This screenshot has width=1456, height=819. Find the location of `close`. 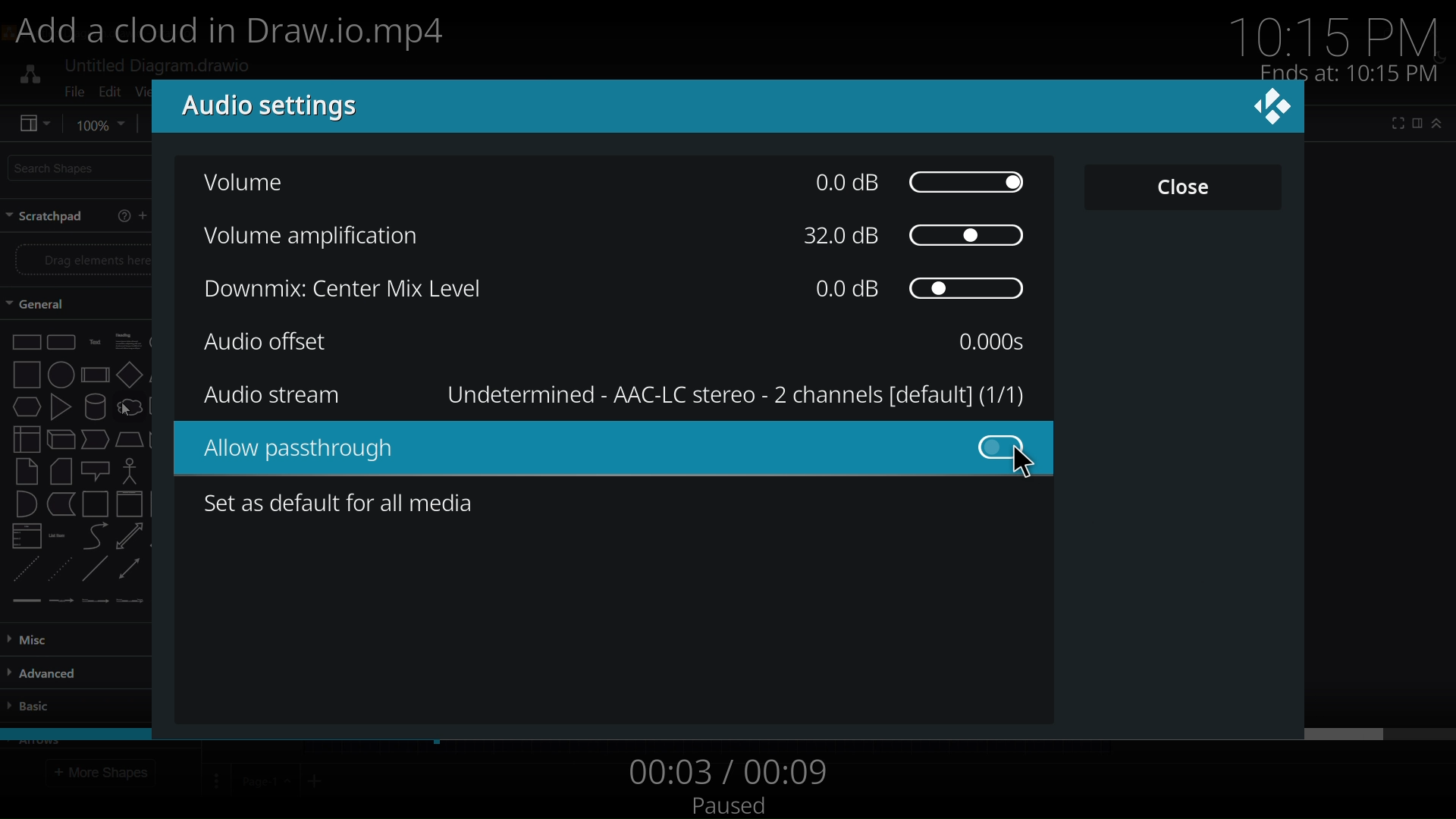

close is located at coordinates (1178, 193).